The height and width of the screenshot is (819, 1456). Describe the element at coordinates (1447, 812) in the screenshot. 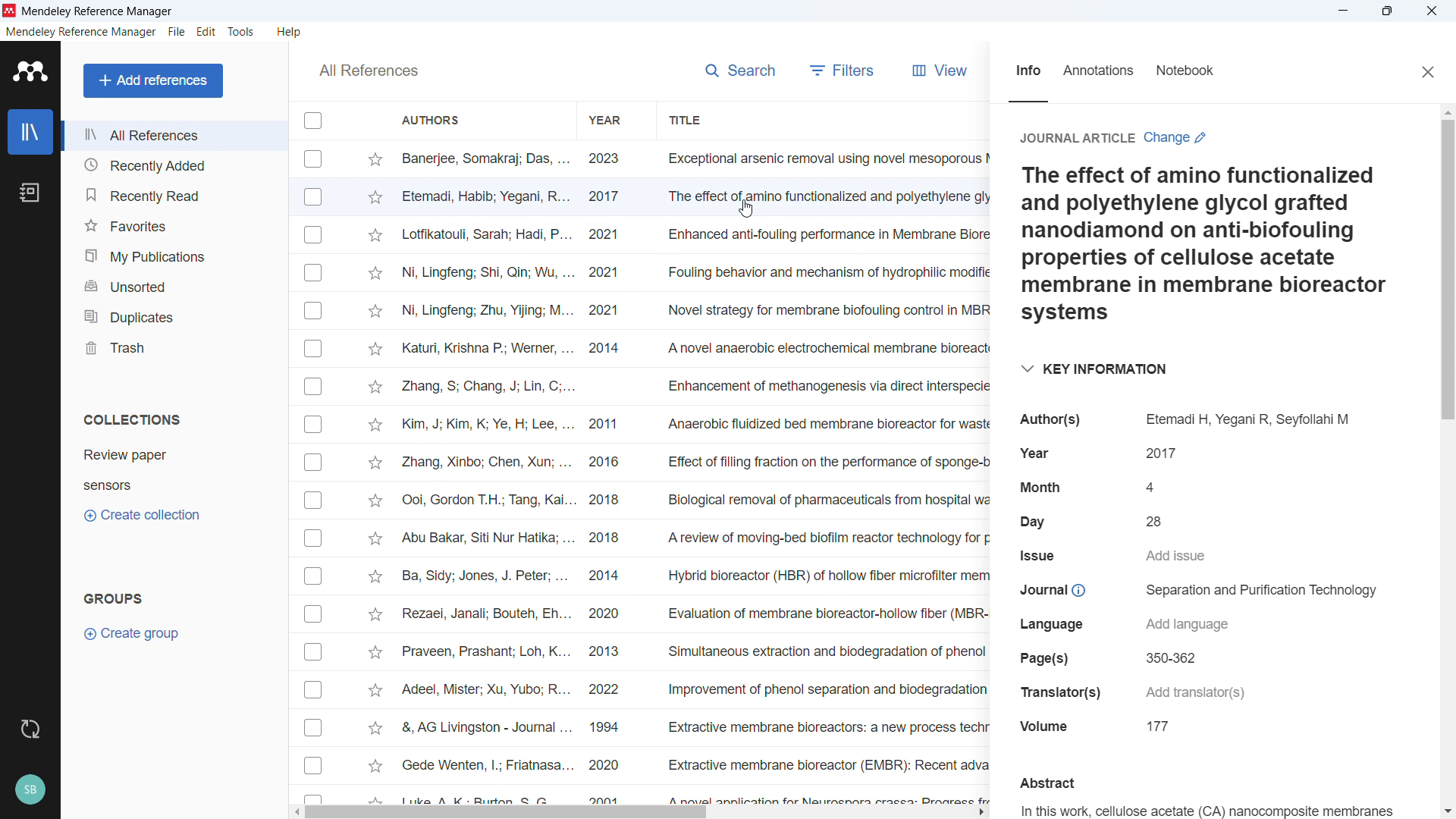

I see `Scroll down ` at that location.